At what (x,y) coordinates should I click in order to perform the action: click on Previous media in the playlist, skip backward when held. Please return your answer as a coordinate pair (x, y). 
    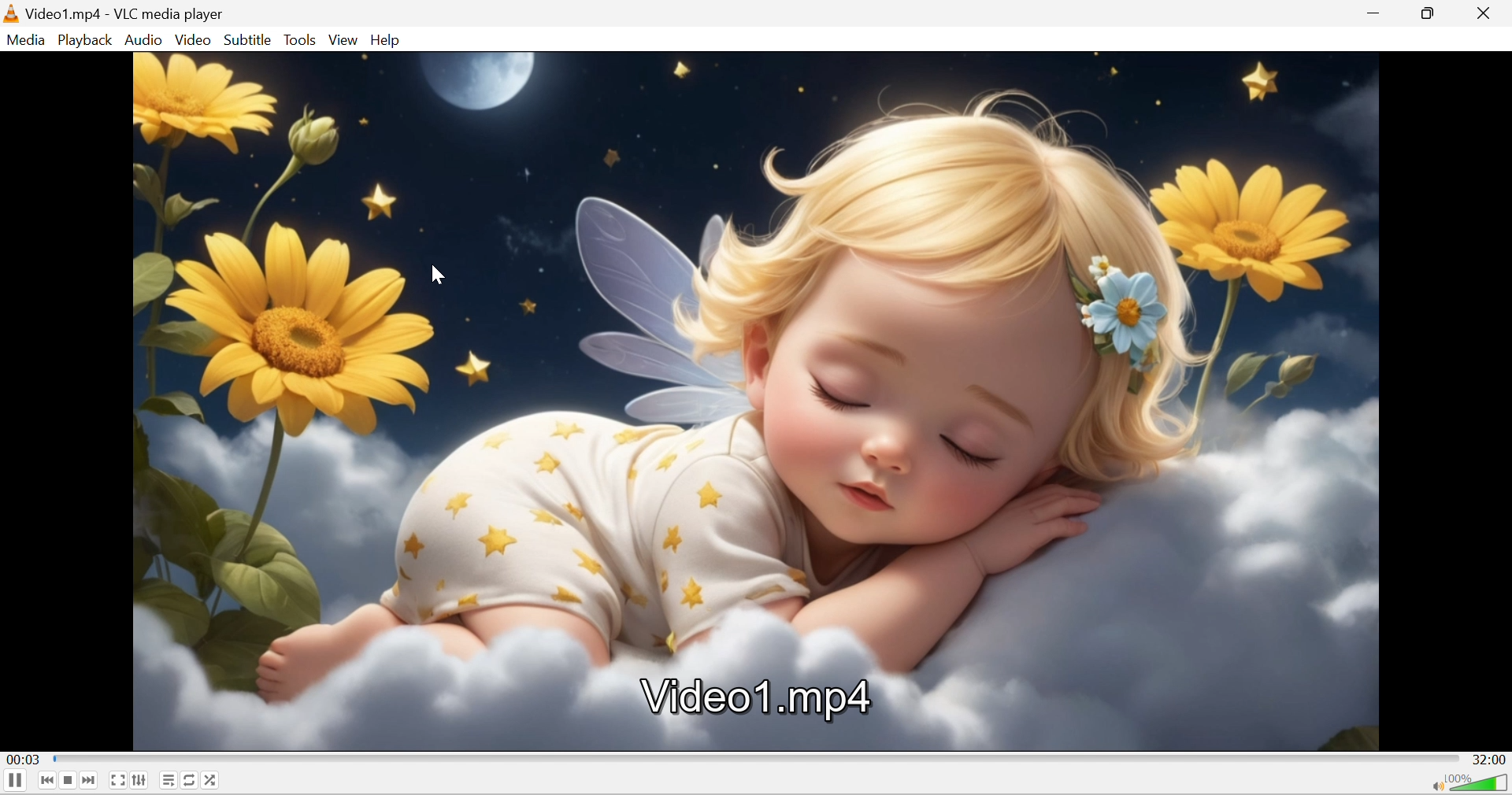
    Looking at the image, I should click on (46, 782).